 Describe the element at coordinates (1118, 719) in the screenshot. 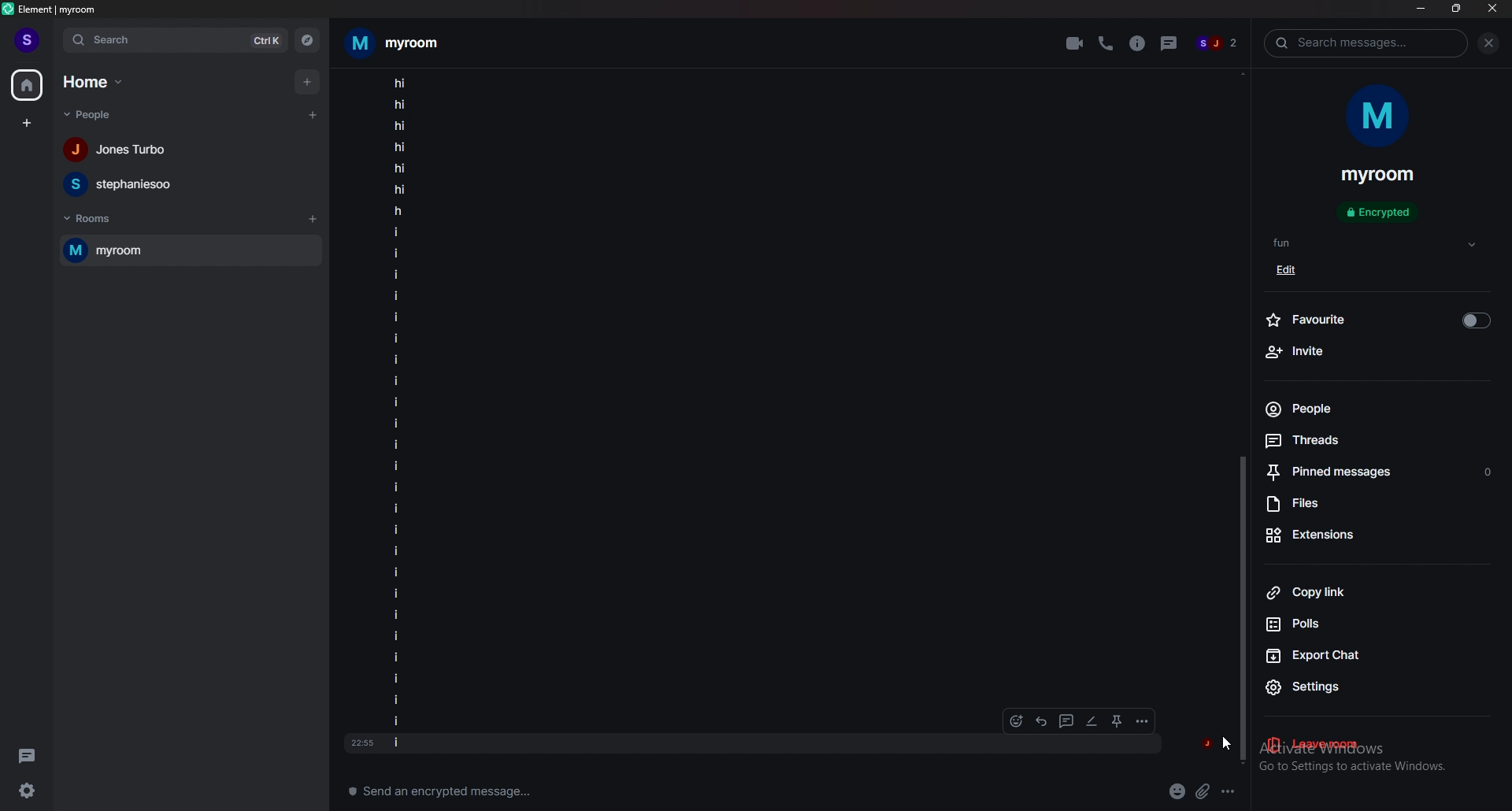

I see `pin` at that location.